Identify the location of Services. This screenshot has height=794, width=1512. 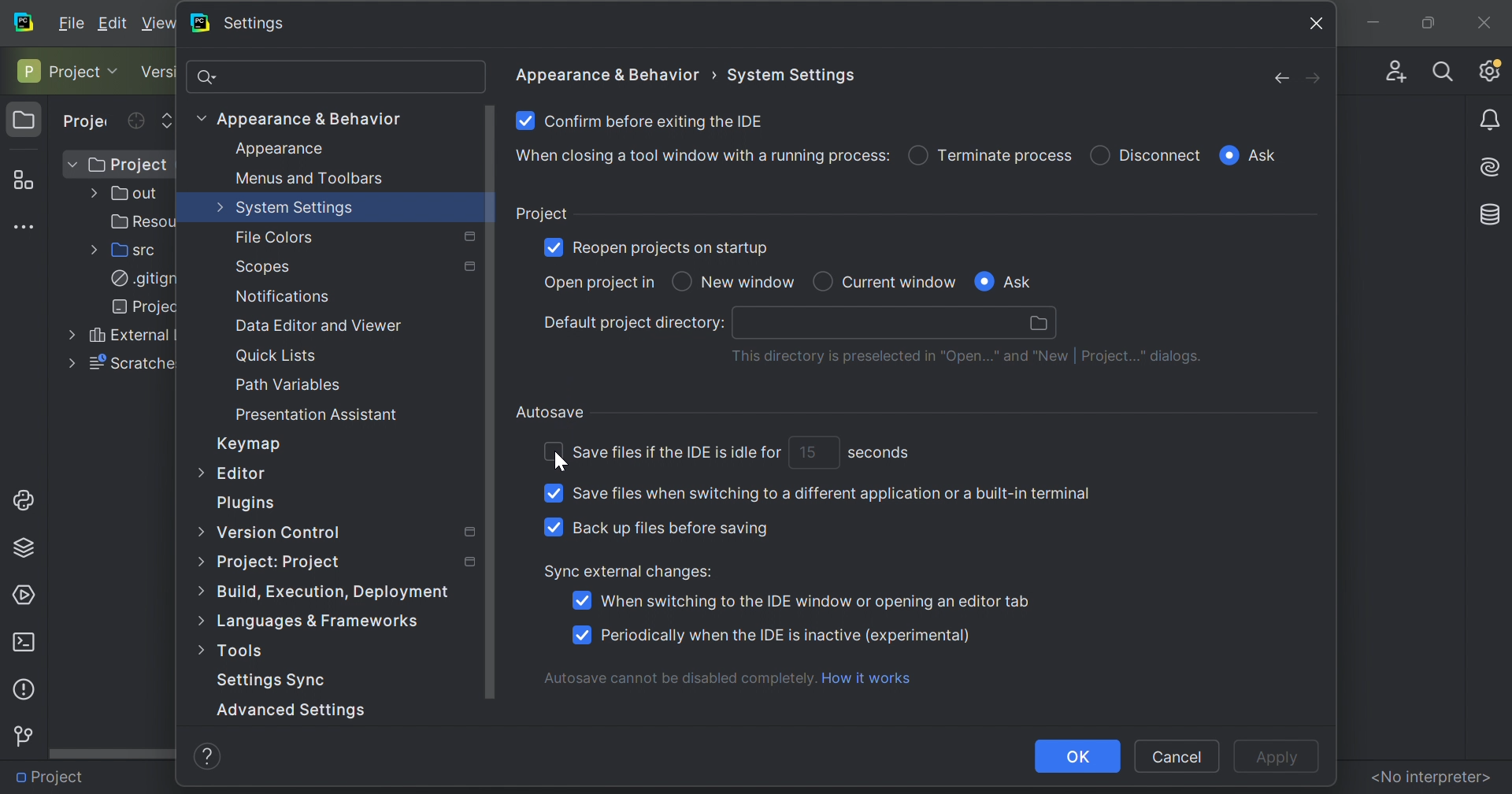
(26, 593).